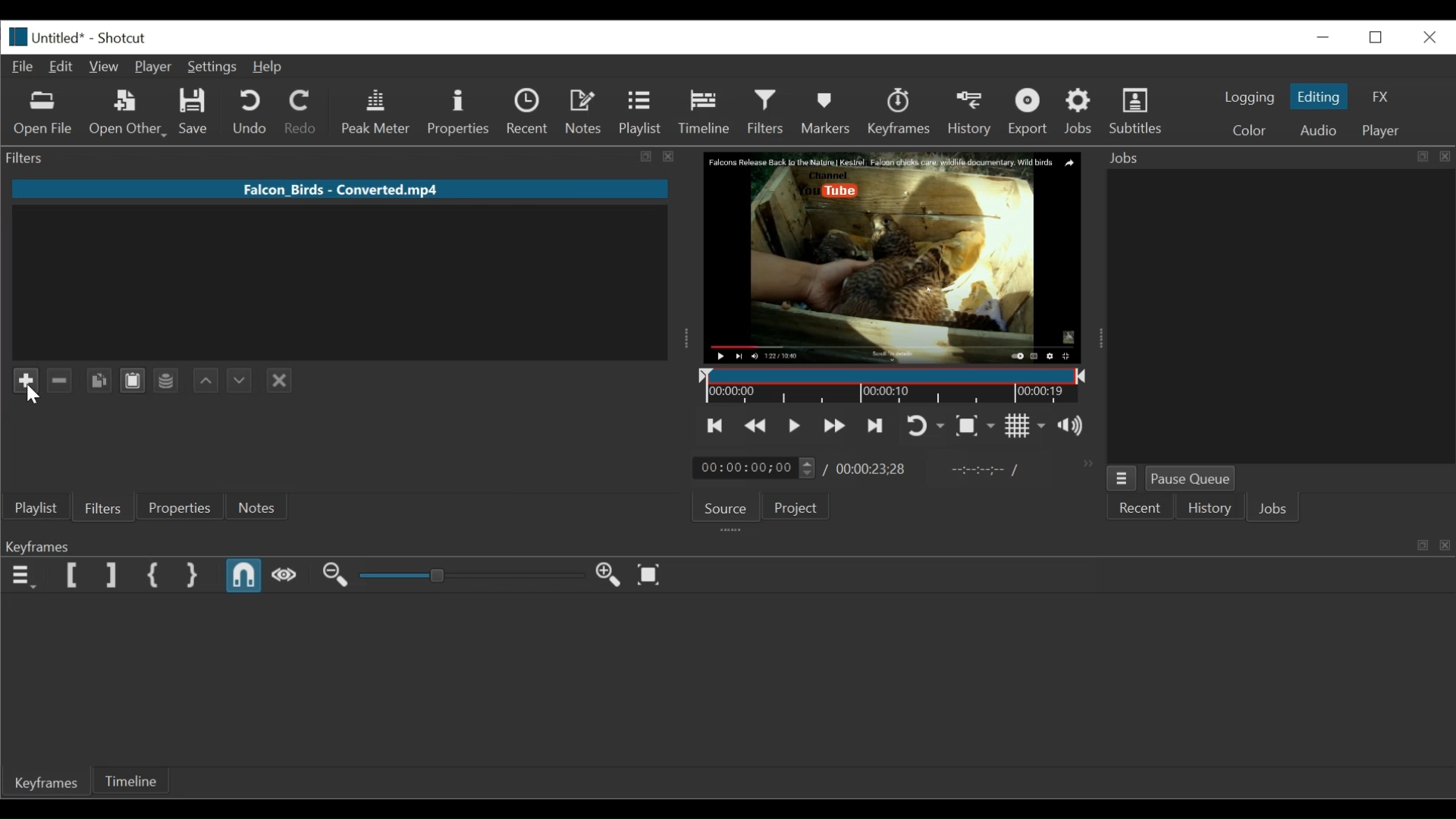 This screenshot has width=1456, height=819. Describe the element at coordinates (1382, 130) in the screenshot. I see `Player` at that location.